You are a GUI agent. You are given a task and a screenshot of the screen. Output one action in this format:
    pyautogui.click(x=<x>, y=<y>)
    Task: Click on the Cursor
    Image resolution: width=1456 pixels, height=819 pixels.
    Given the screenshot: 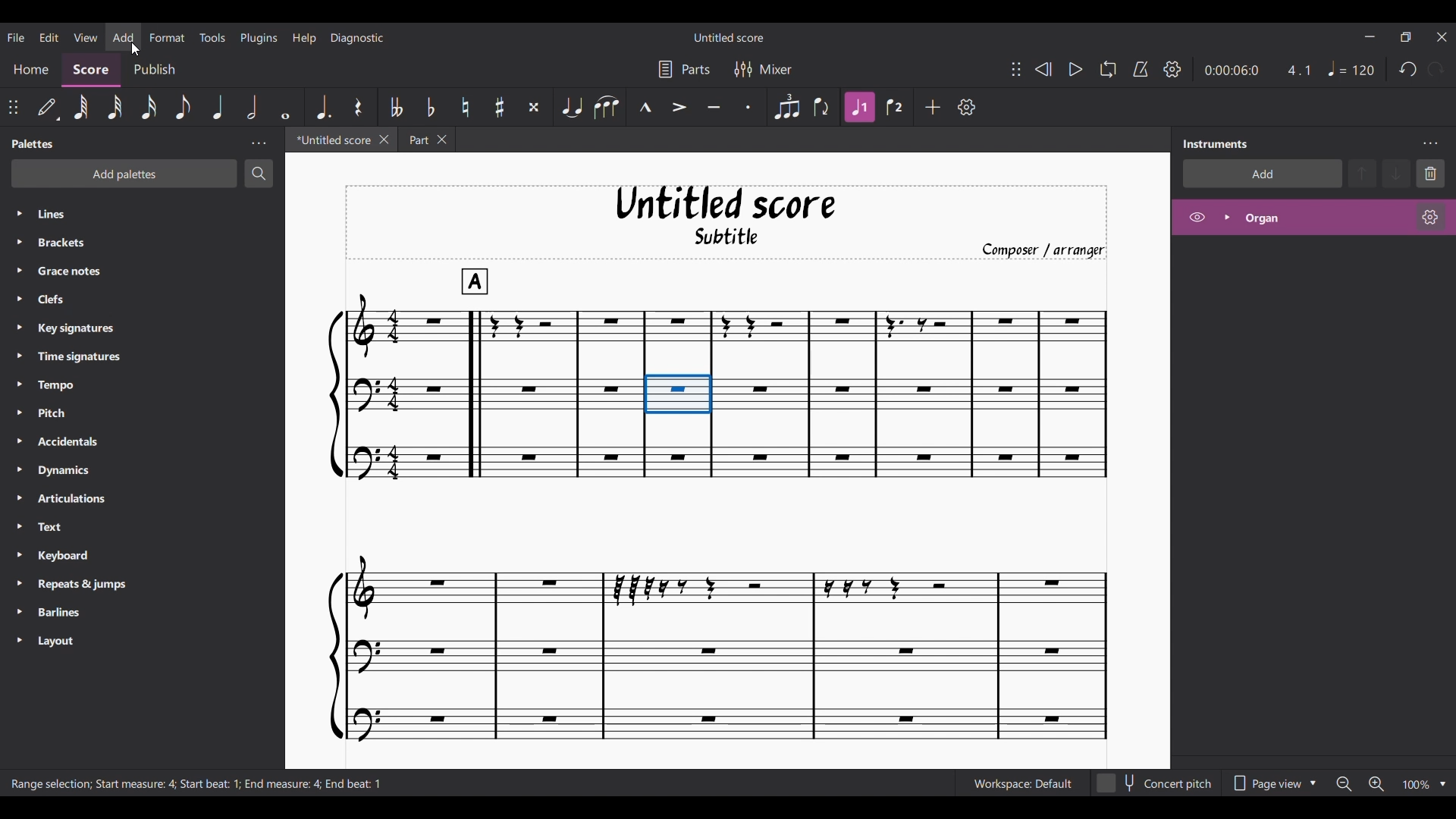 What is the action you would take?
    pyautogui.click(x=143, y=48)
    